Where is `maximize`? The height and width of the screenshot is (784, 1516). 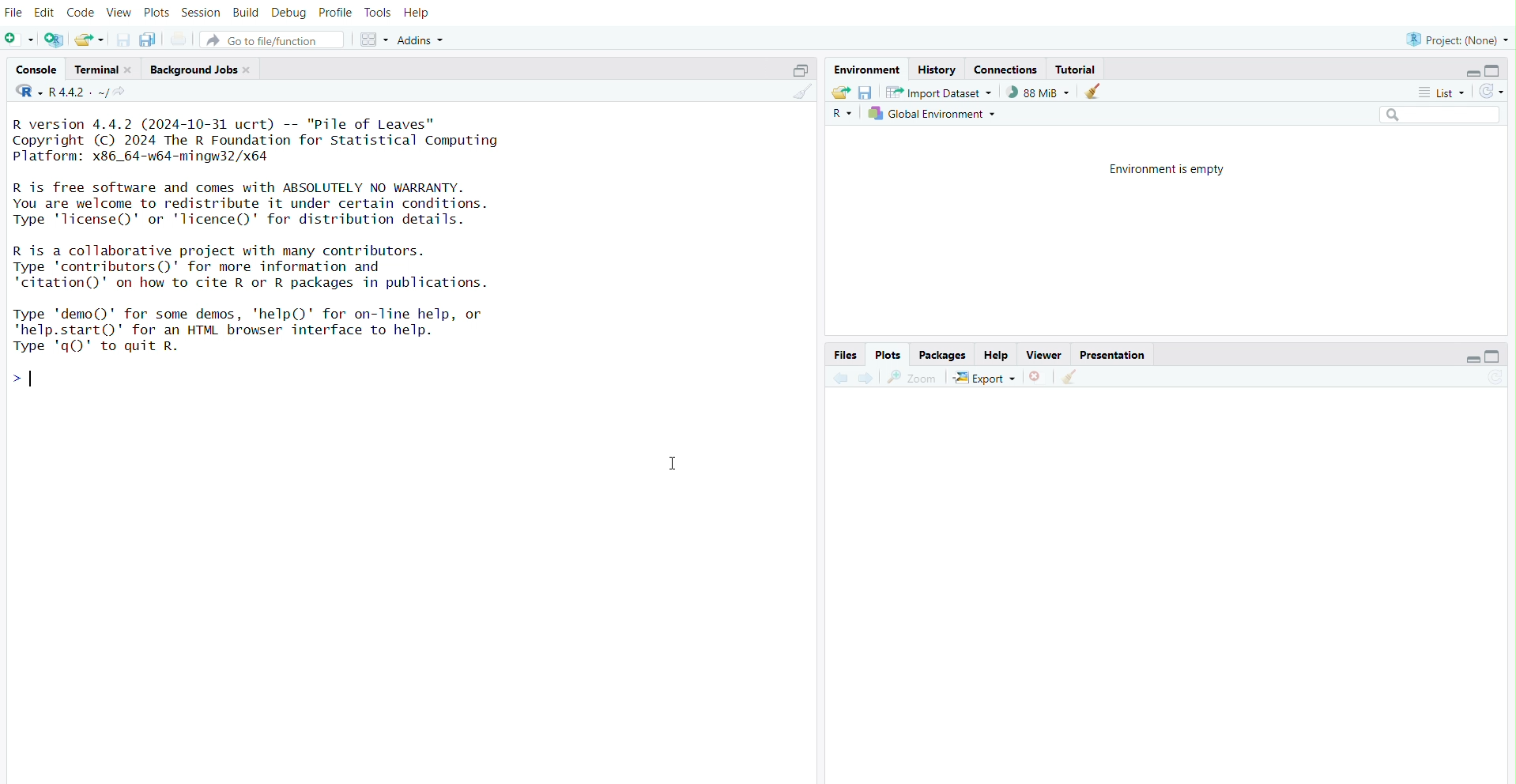
maximize is located at coordinates (1500, 69).